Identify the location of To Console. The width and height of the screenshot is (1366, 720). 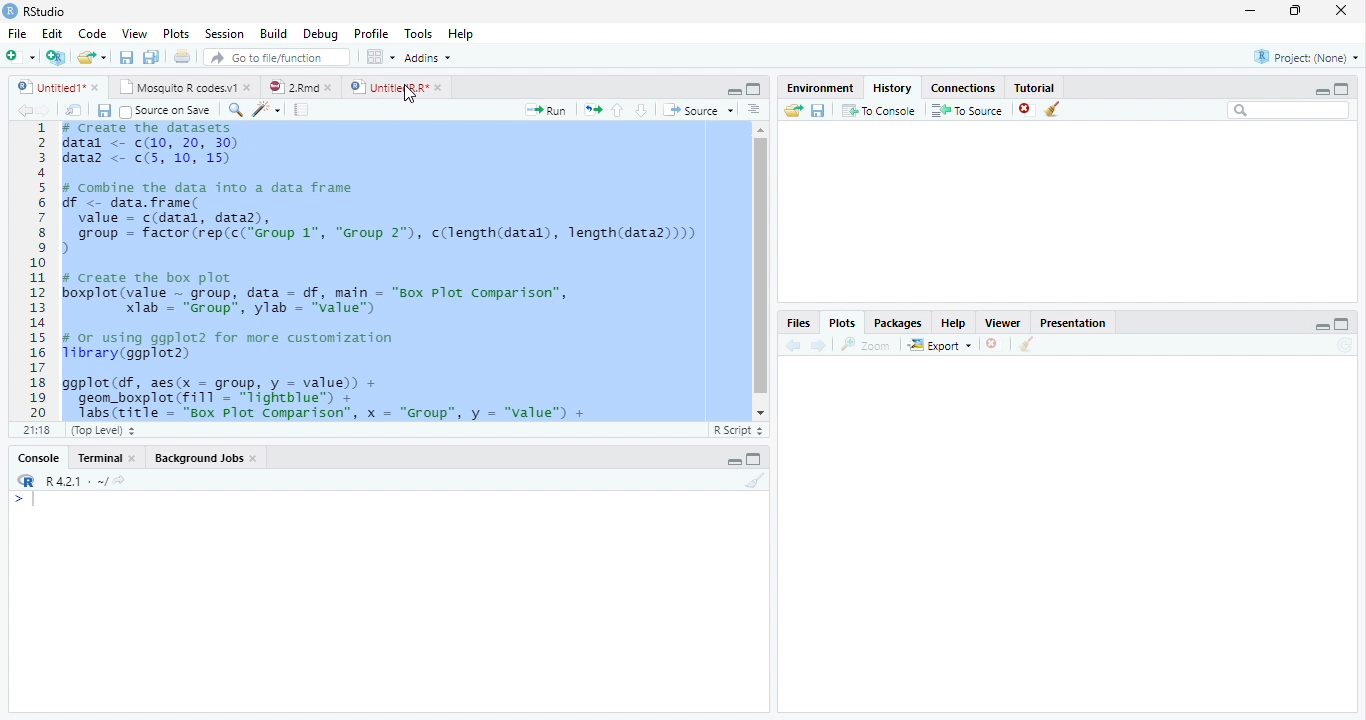
(880, 110).